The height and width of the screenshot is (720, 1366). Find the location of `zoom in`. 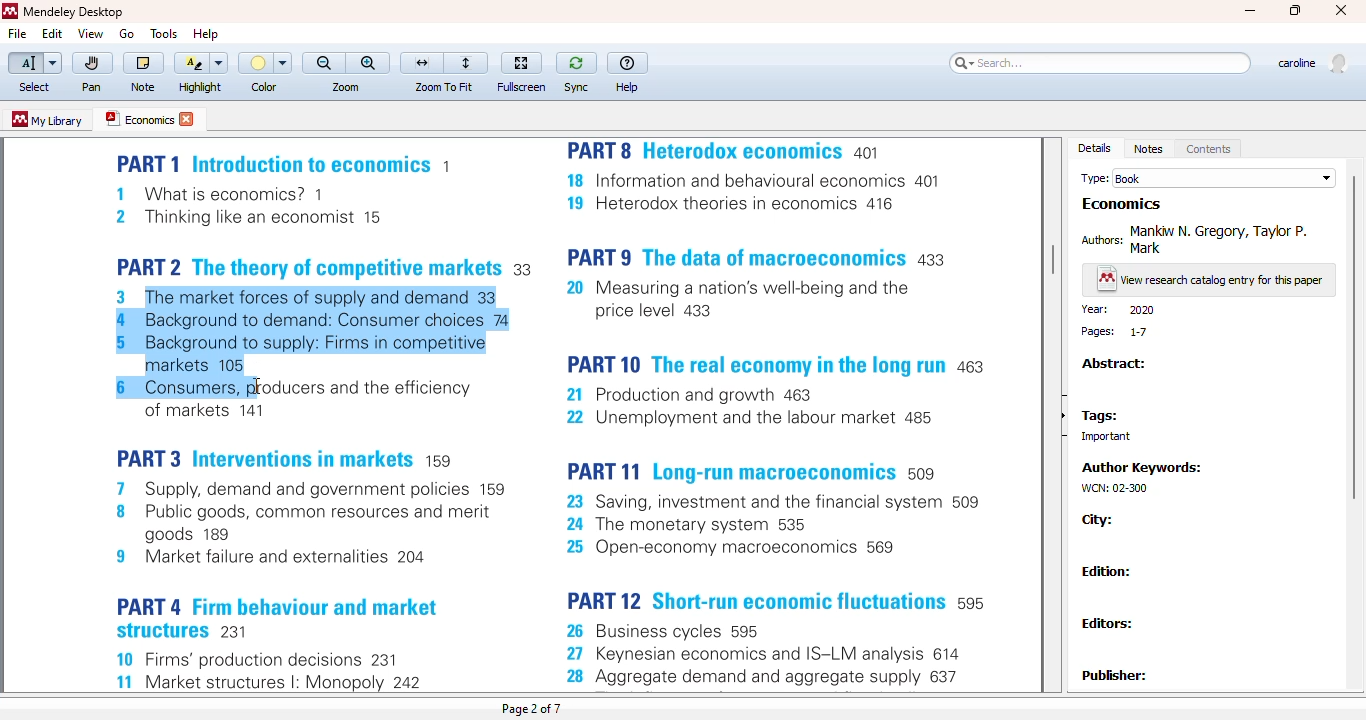

zoom in is located at coordinates (369, 63).